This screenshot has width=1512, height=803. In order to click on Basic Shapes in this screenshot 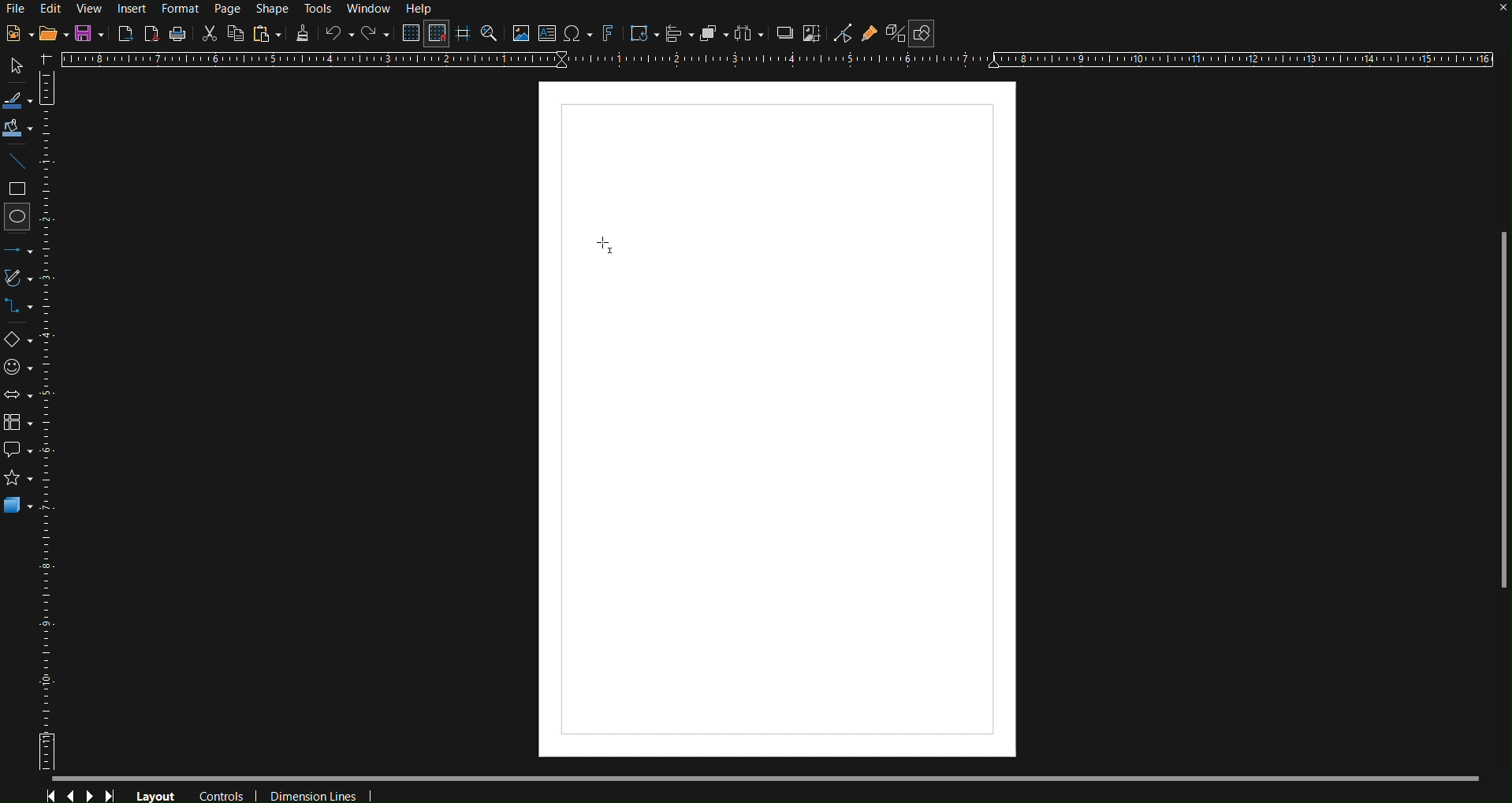, I will do `click(22, 342)`.